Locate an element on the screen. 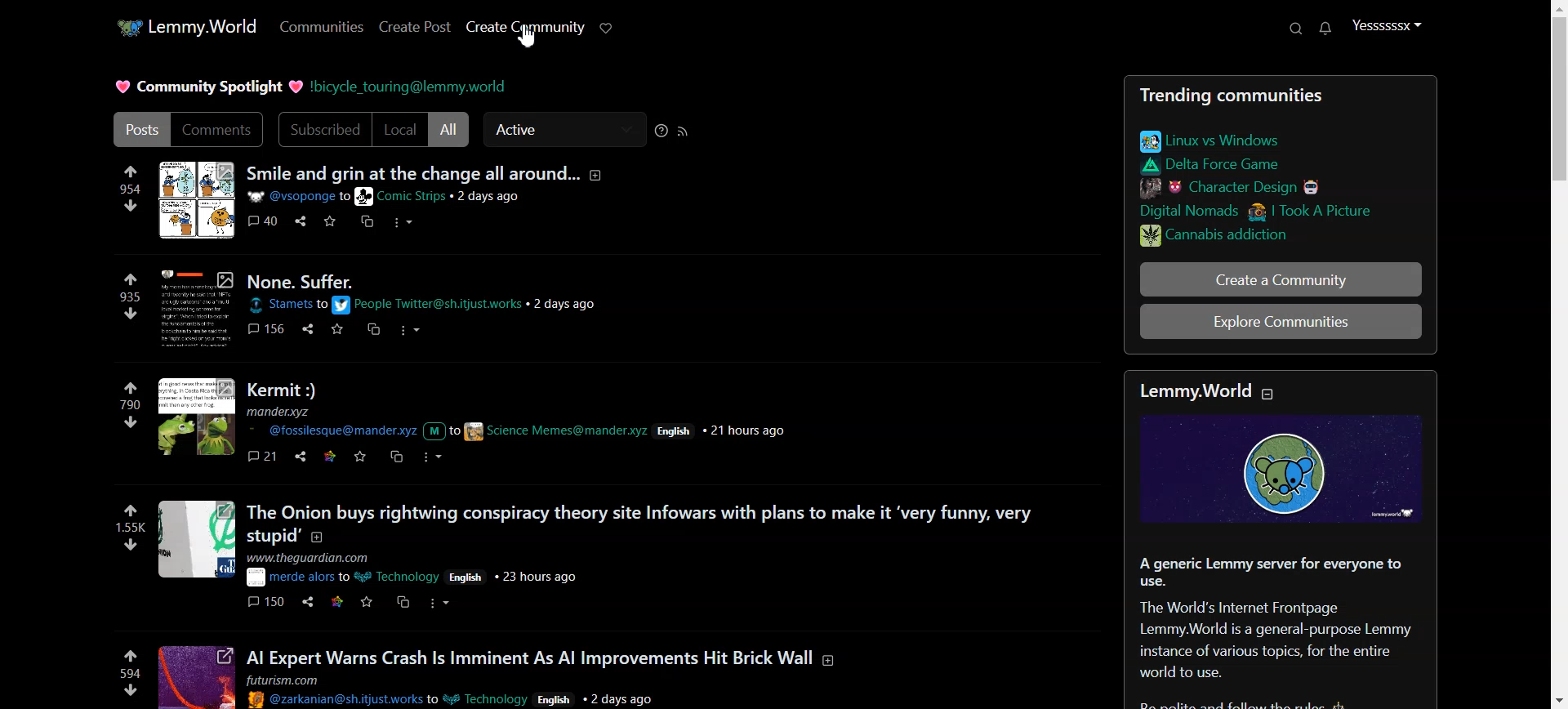 This screenshot has height=709, width=1568. numbers is located at coordinates (130, 404).